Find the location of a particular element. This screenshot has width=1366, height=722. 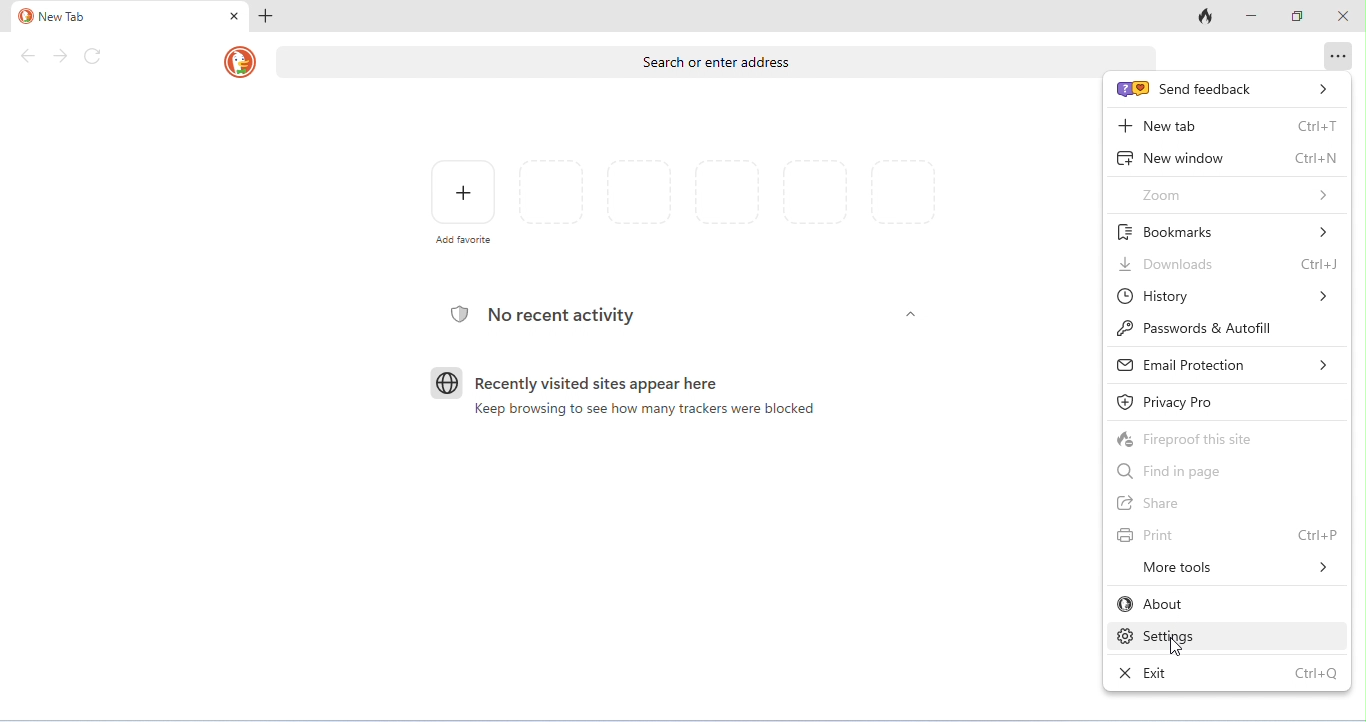

recently visited sites appear here is located at coordinates (577, 382).